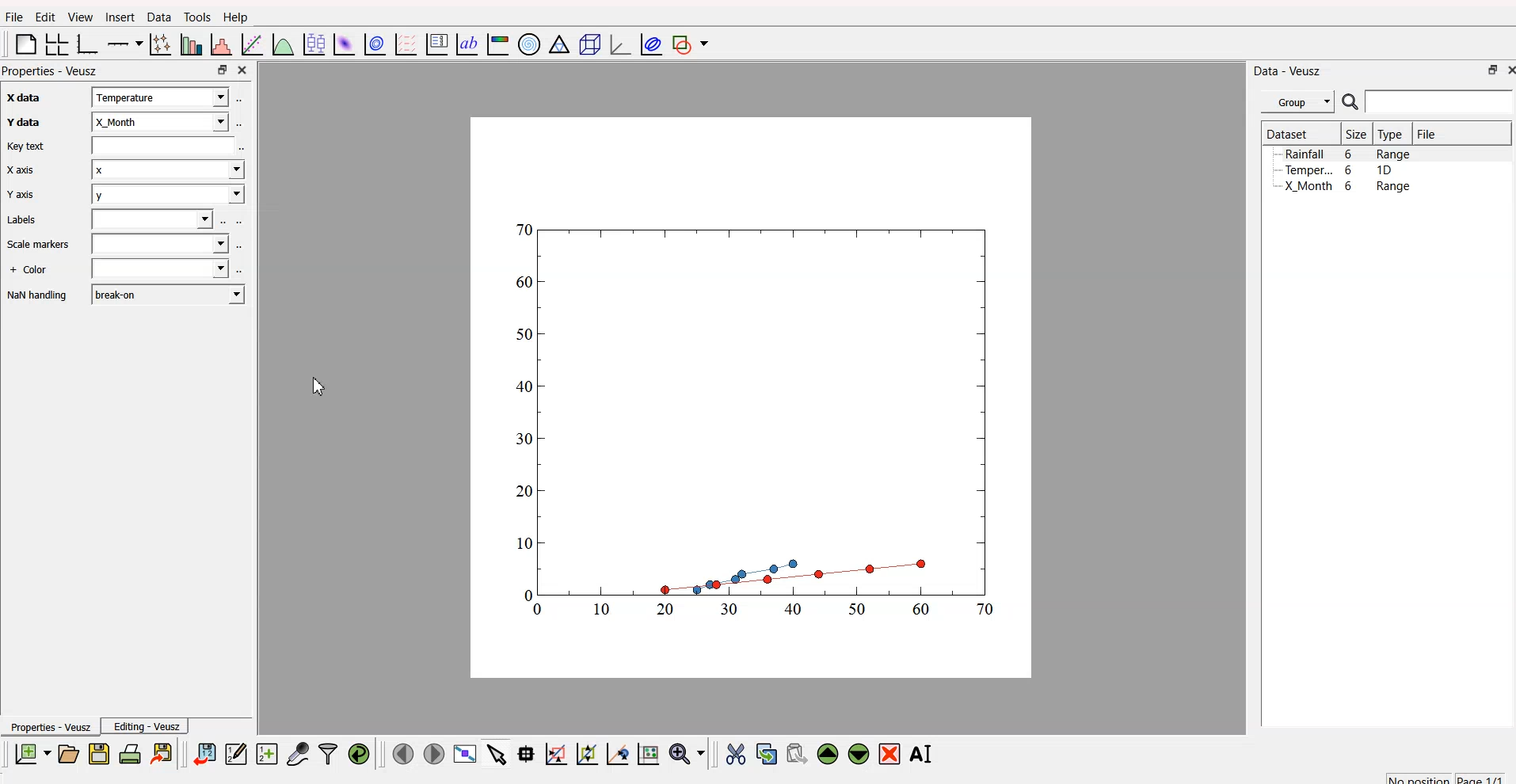  I want to click on Insert, so click(119, 17).